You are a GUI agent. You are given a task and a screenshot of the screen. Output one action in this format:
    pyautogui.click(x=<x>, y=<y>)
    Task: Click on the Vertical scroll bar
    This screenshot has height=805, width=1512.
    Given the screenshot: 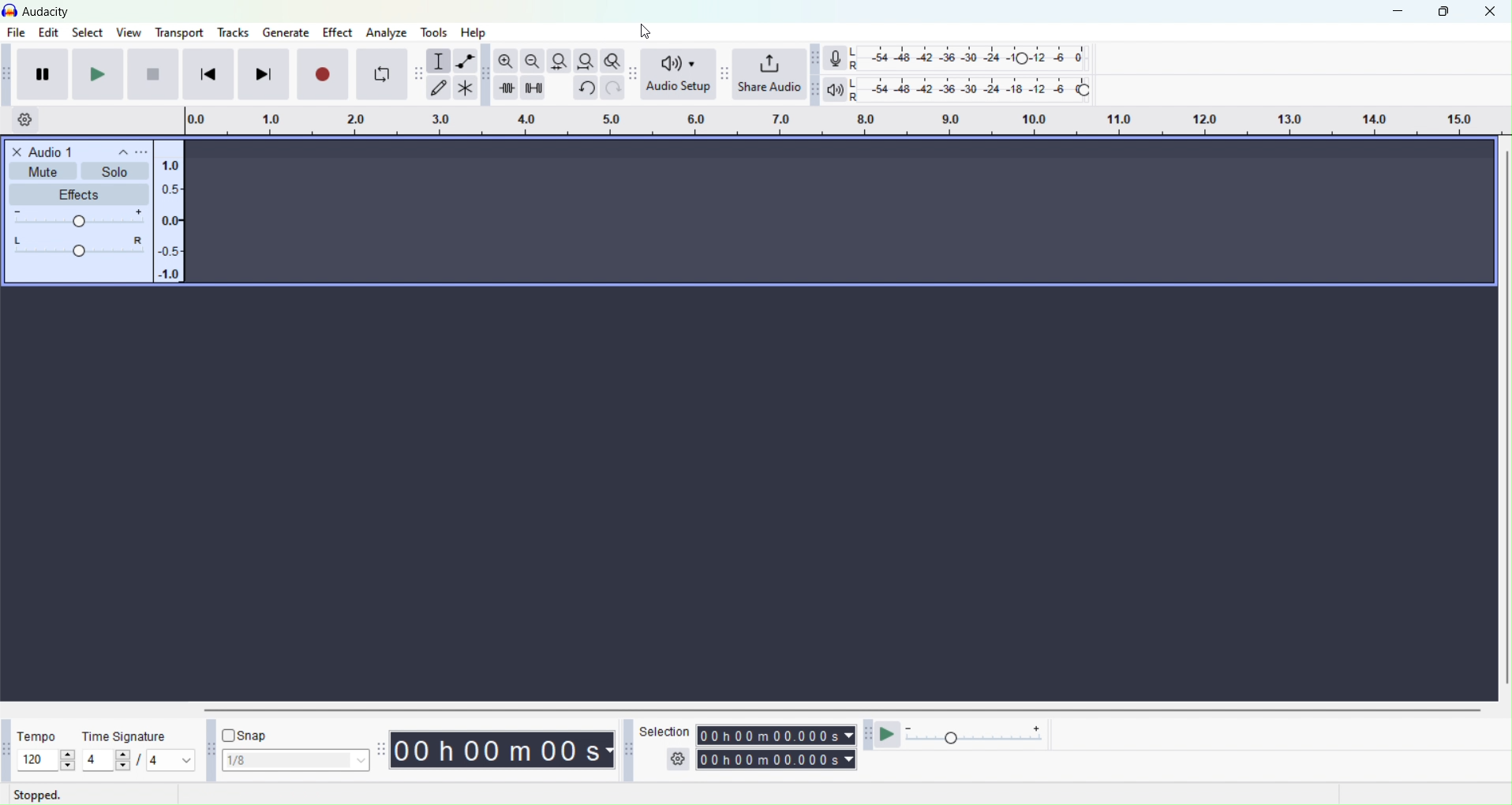 What is the action you would take?
    pyautogui.click(x=841, y=709)
    